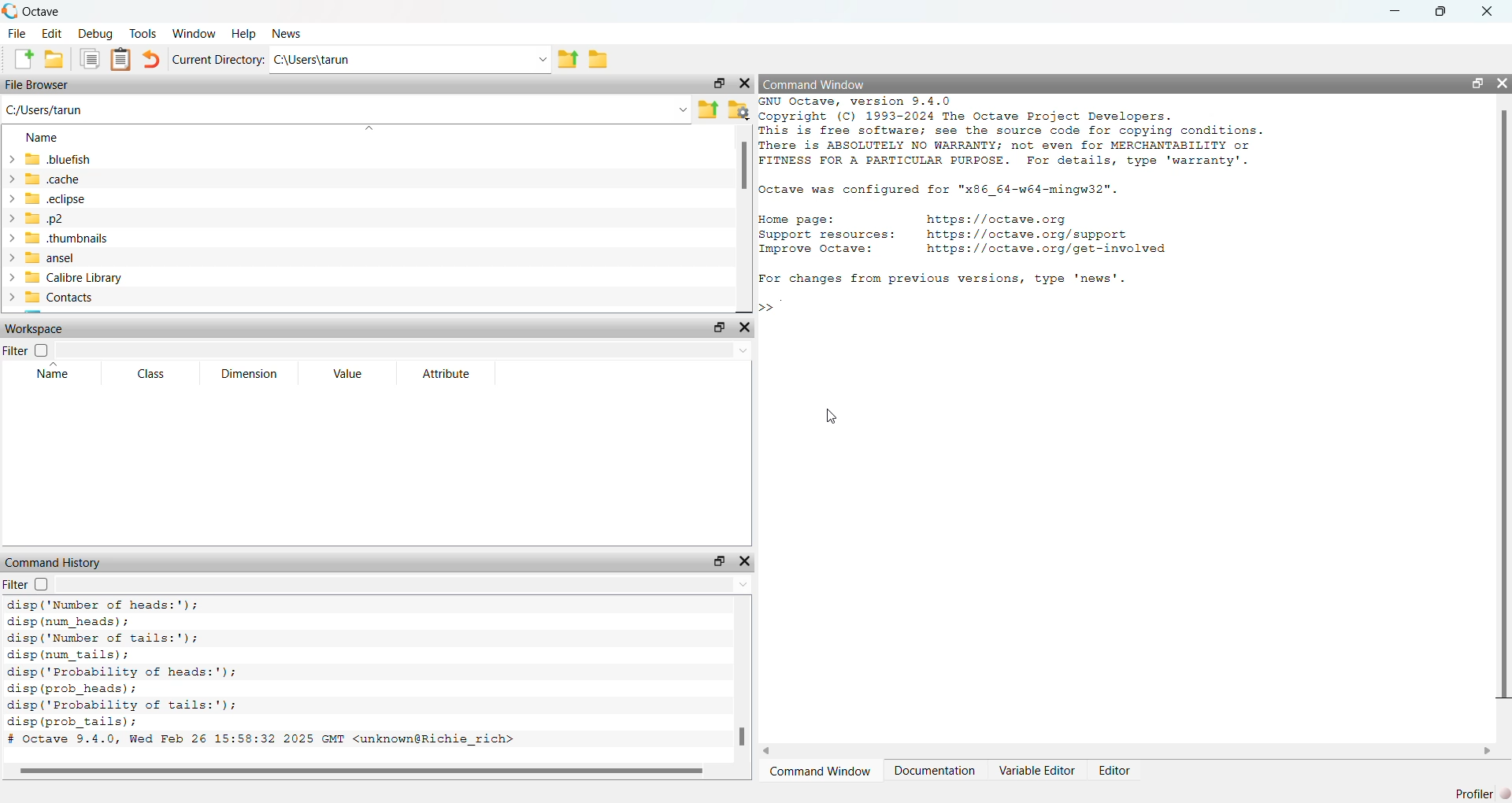 The width and height of the screenshot is (1512, 803). I want to click on Command Window, so click(819, 771).